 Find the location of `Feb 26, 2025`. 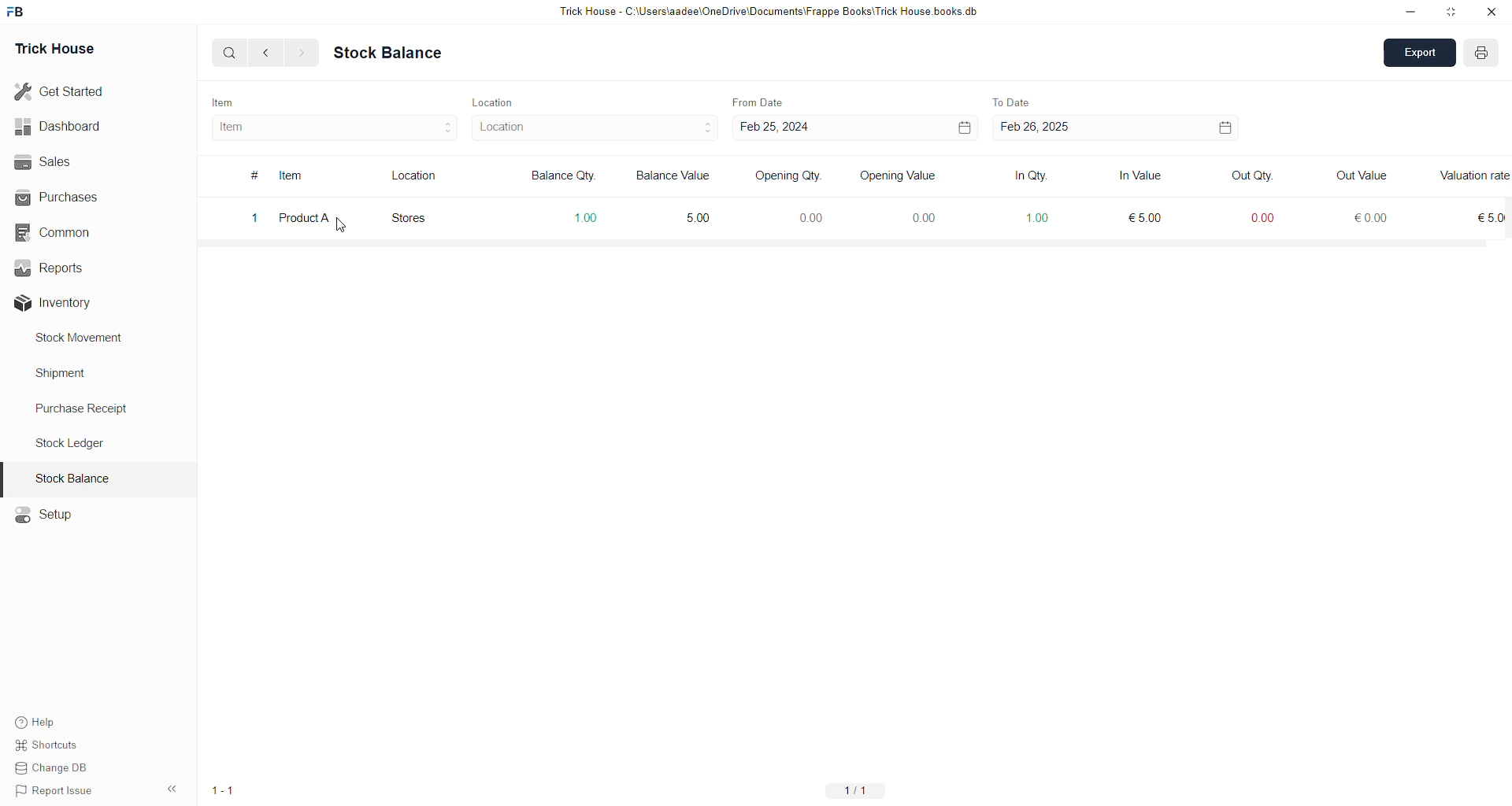

Feb 26, 2025 is located at coordinates (1123, 127).